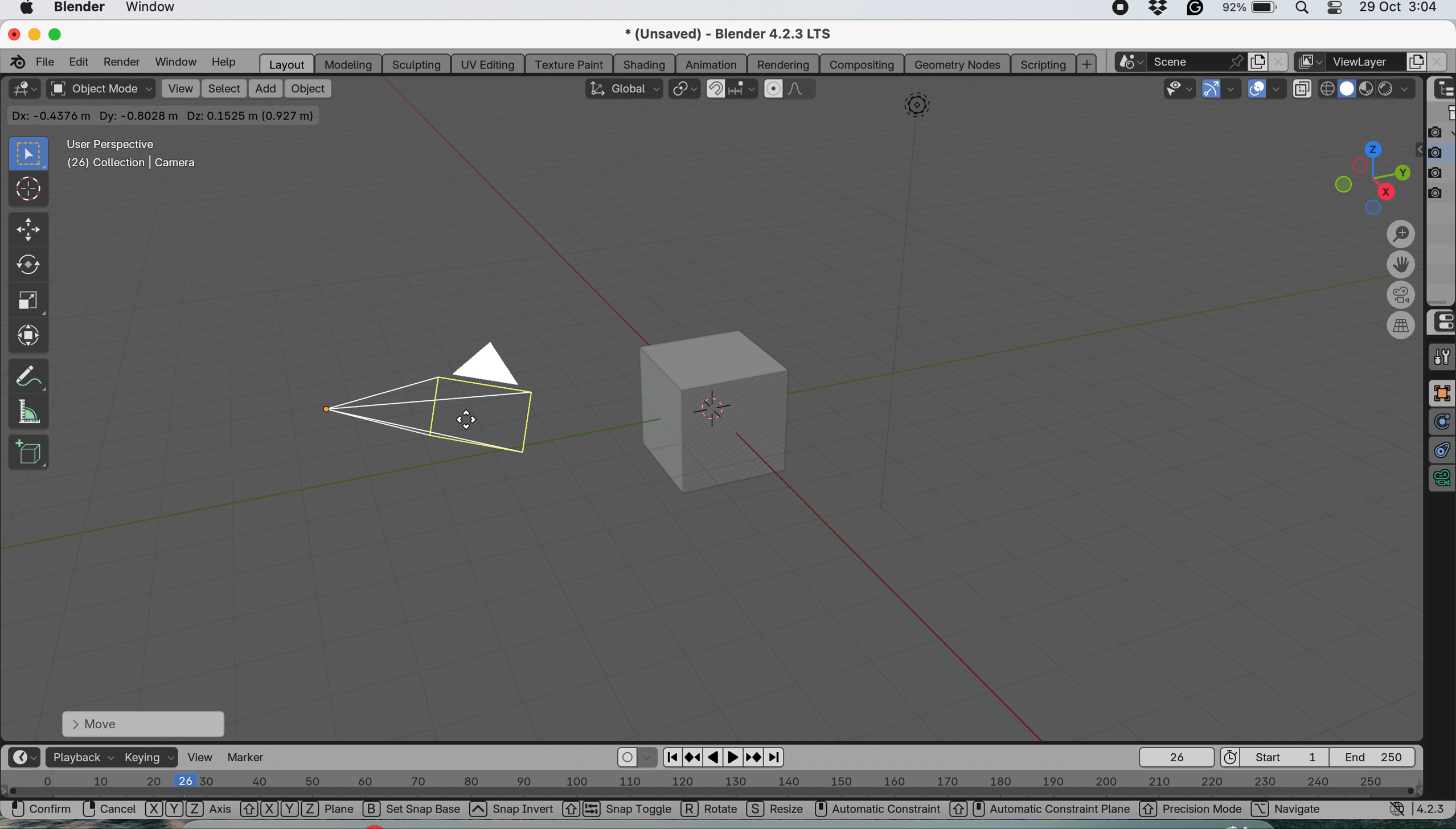  Describe the element at coordinates (712, 64) in the screenshot. I see `animation` at that location.